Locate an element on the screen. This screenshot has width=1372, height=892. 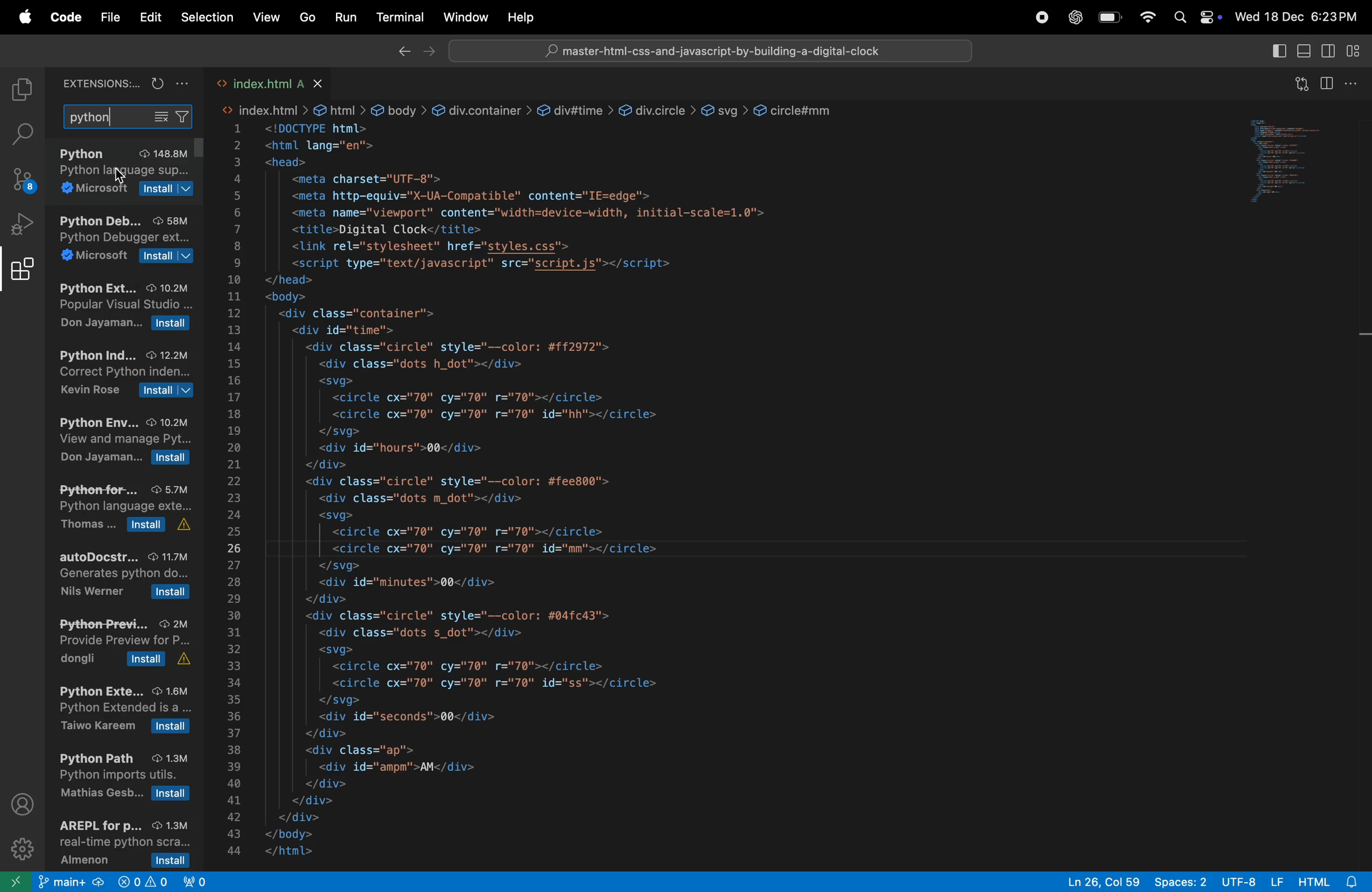
wifi is located at coordinates (1147, 18).